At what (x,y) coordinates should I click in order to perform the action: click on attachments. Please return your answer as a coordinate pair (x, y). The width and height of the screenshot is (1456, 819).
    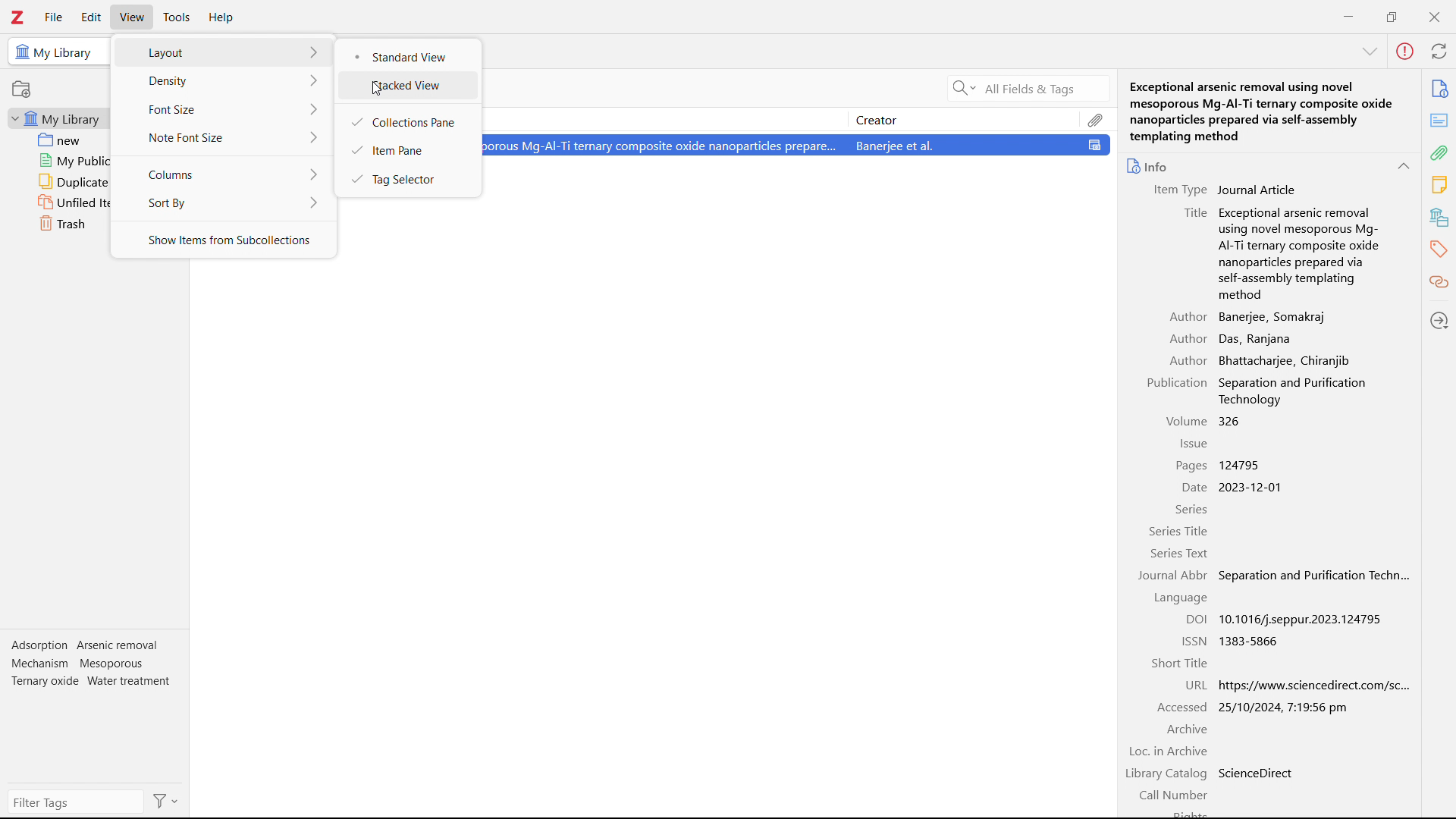
    Looking at the image, I should click on (1439, 153).